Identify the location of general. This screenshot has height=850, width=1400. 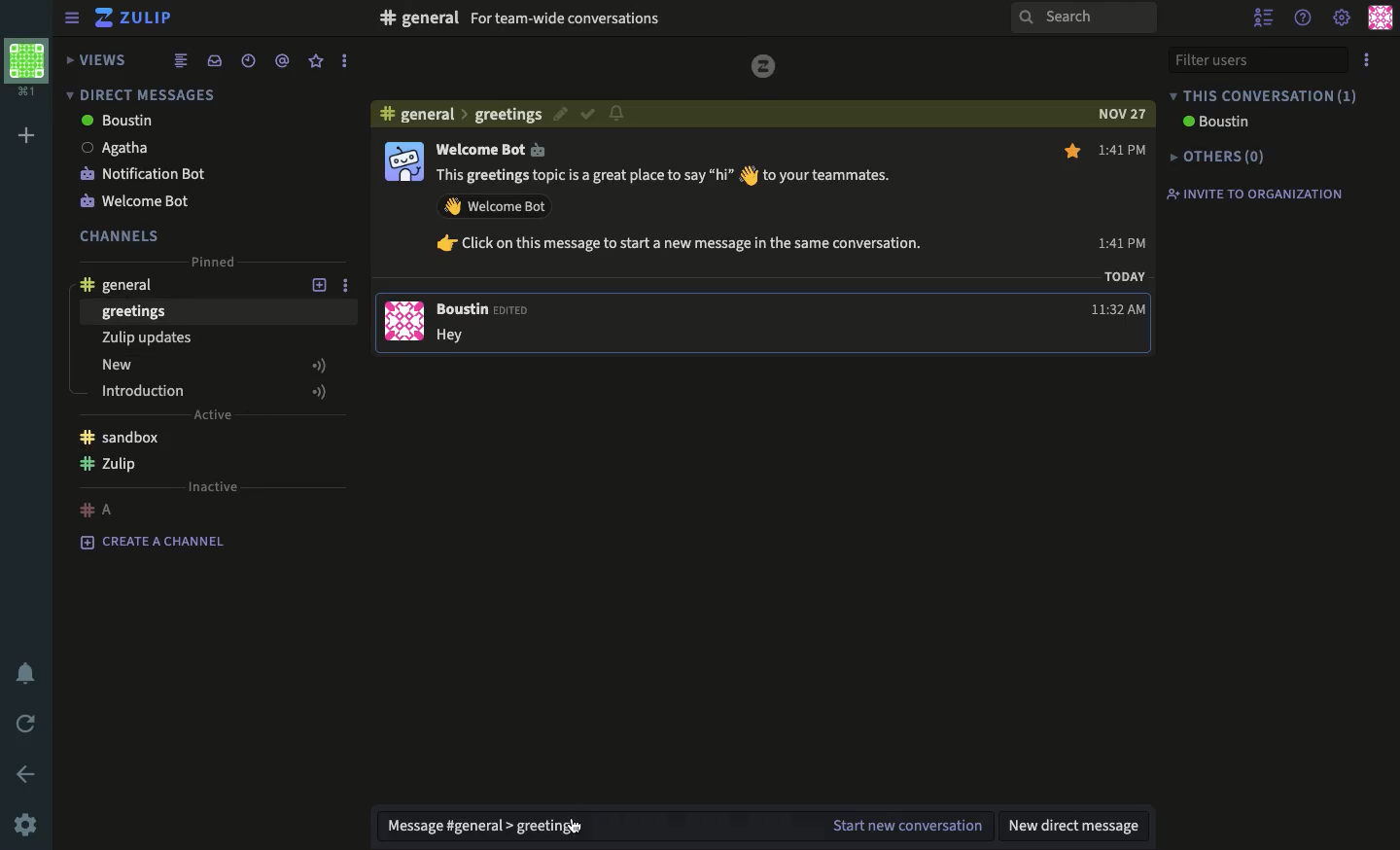
(424, 116).